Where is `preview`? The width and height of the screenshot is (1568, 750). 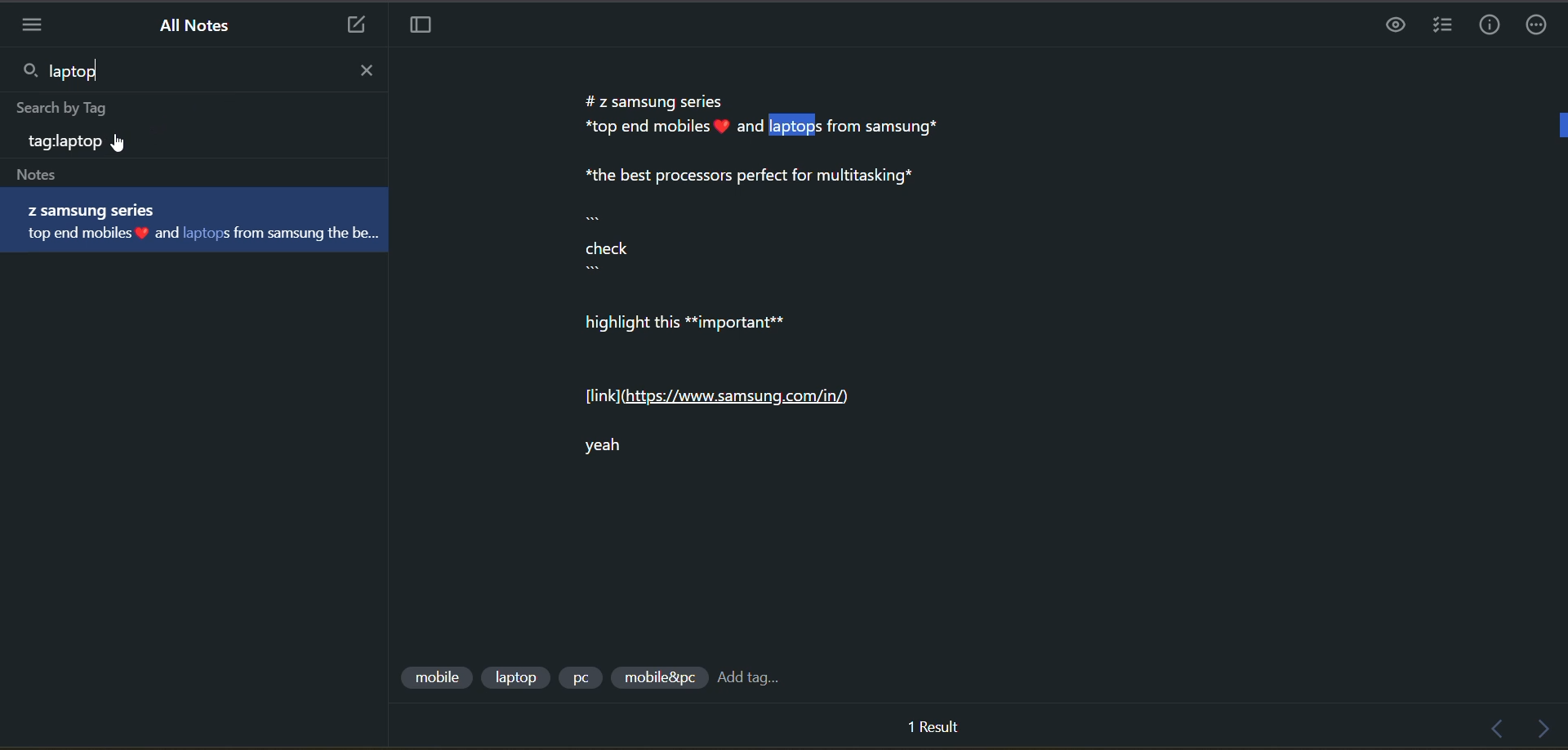 preview is located at coordinates (1396, 27).